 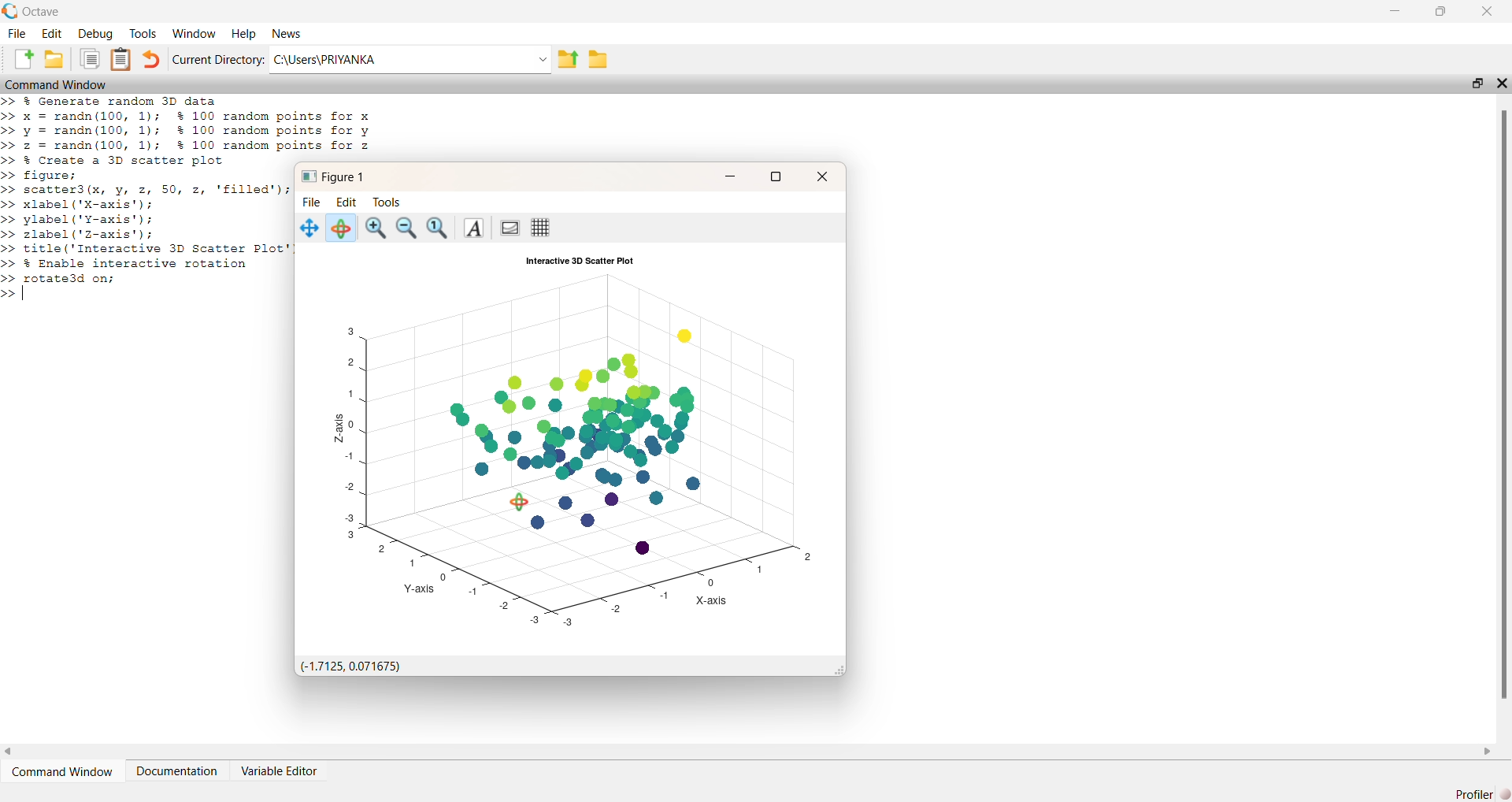 What do you see at coordinates (821, 176) in the screenshot?
I see `close` at bounding box center [821, 176].